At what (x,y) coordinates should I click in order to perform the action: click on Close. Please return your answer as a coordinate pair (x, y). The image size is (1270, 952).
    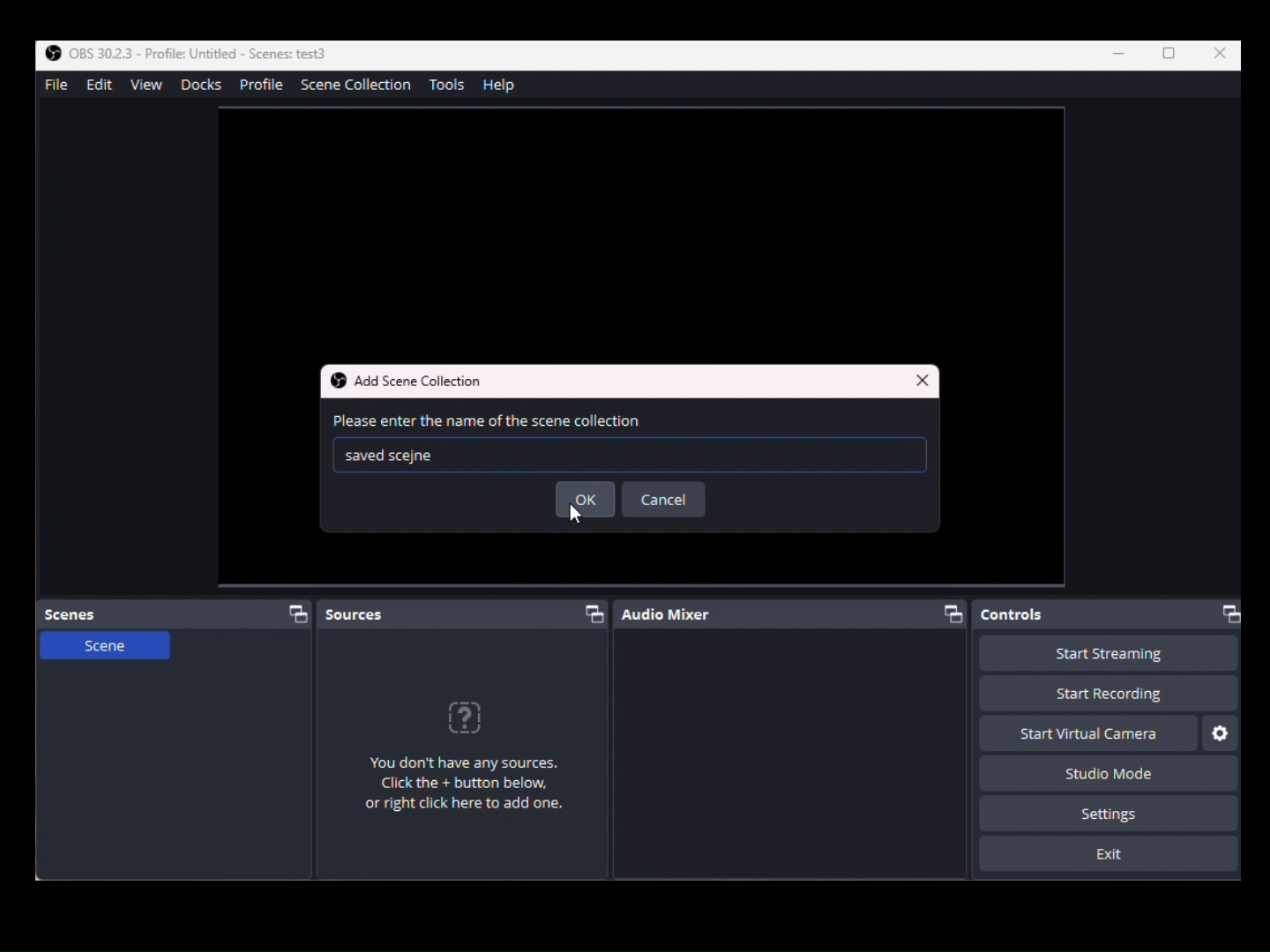
    Looking at the image, I should click on (1221, 54).